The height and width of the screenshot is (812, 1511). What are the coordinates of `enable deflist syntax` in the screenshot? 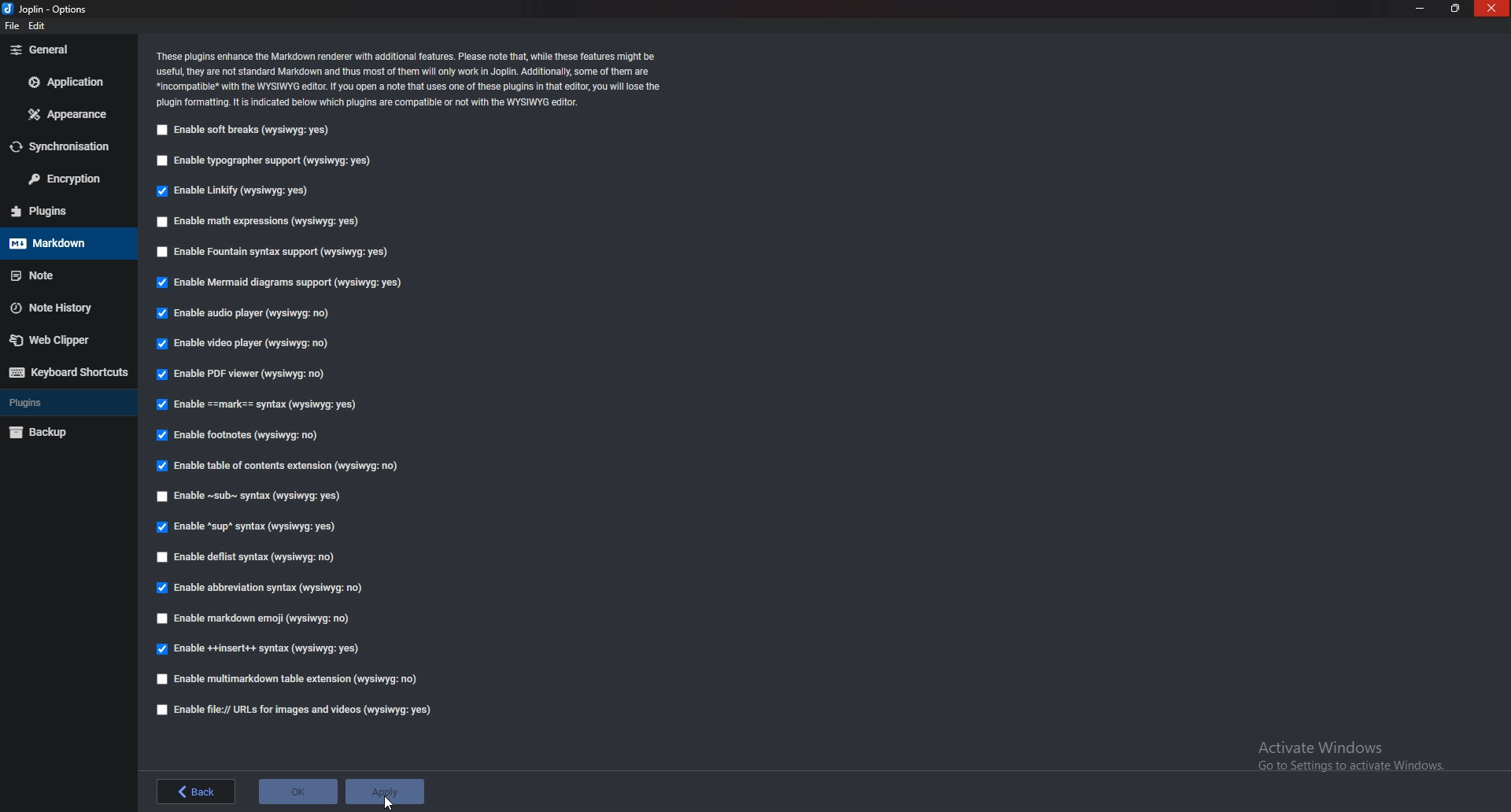 It's located at (248, 557).